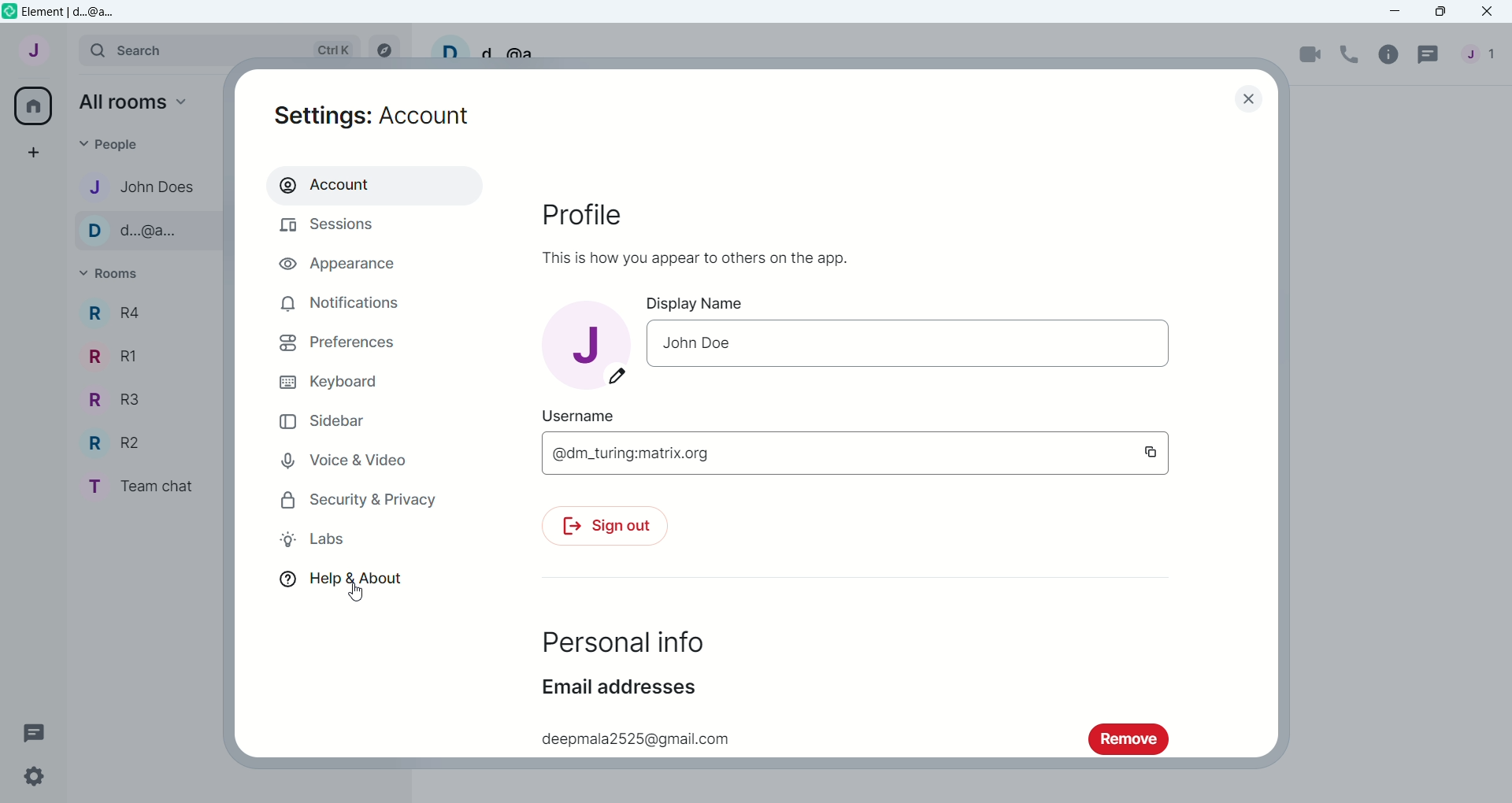  What do you see at coordinates (342, 308) in the screenshot?
I see `Notifications` at bounding box center [342, 308].